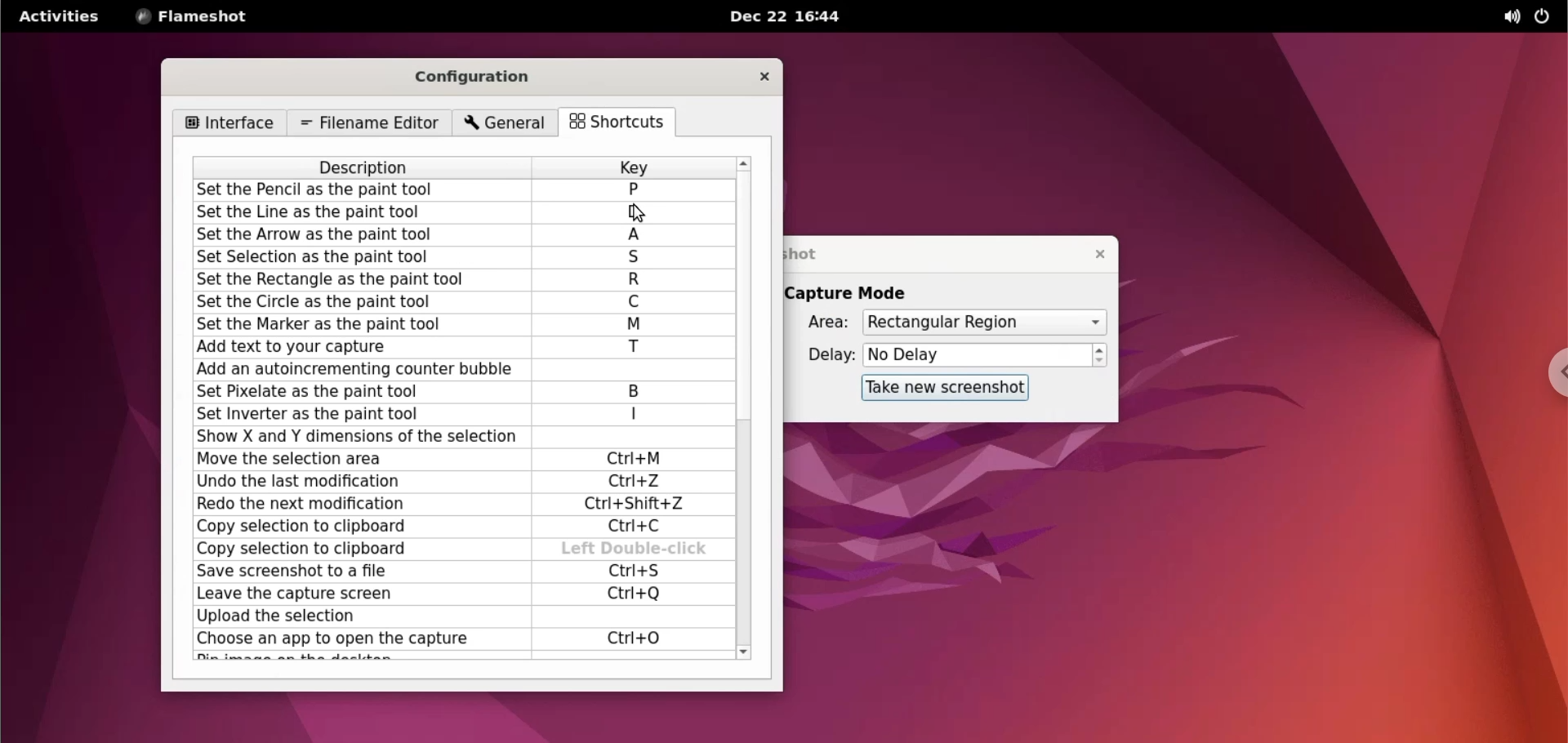 This screenshot has width=1568, height=743. Describe the element at coordinates (639, 236) in the screenshot. I see `A ` at that location.